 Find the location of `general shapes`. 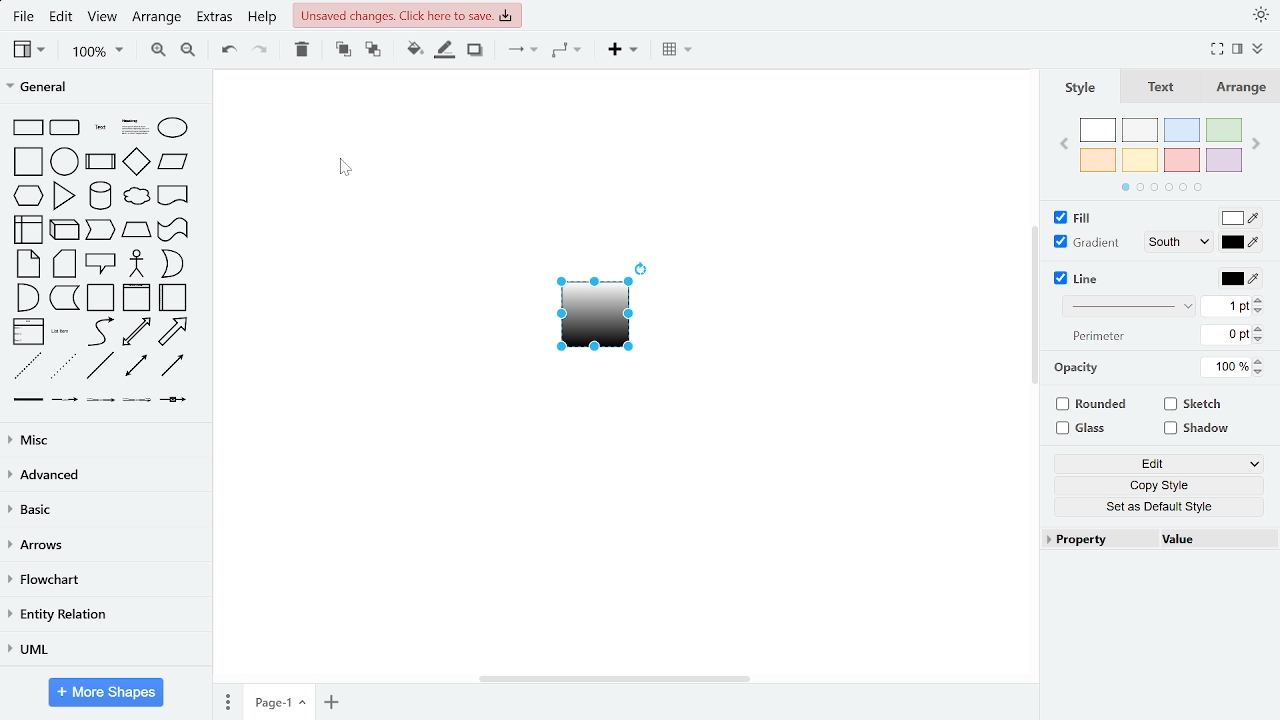

general shapes is located at coordinates (65, 127).